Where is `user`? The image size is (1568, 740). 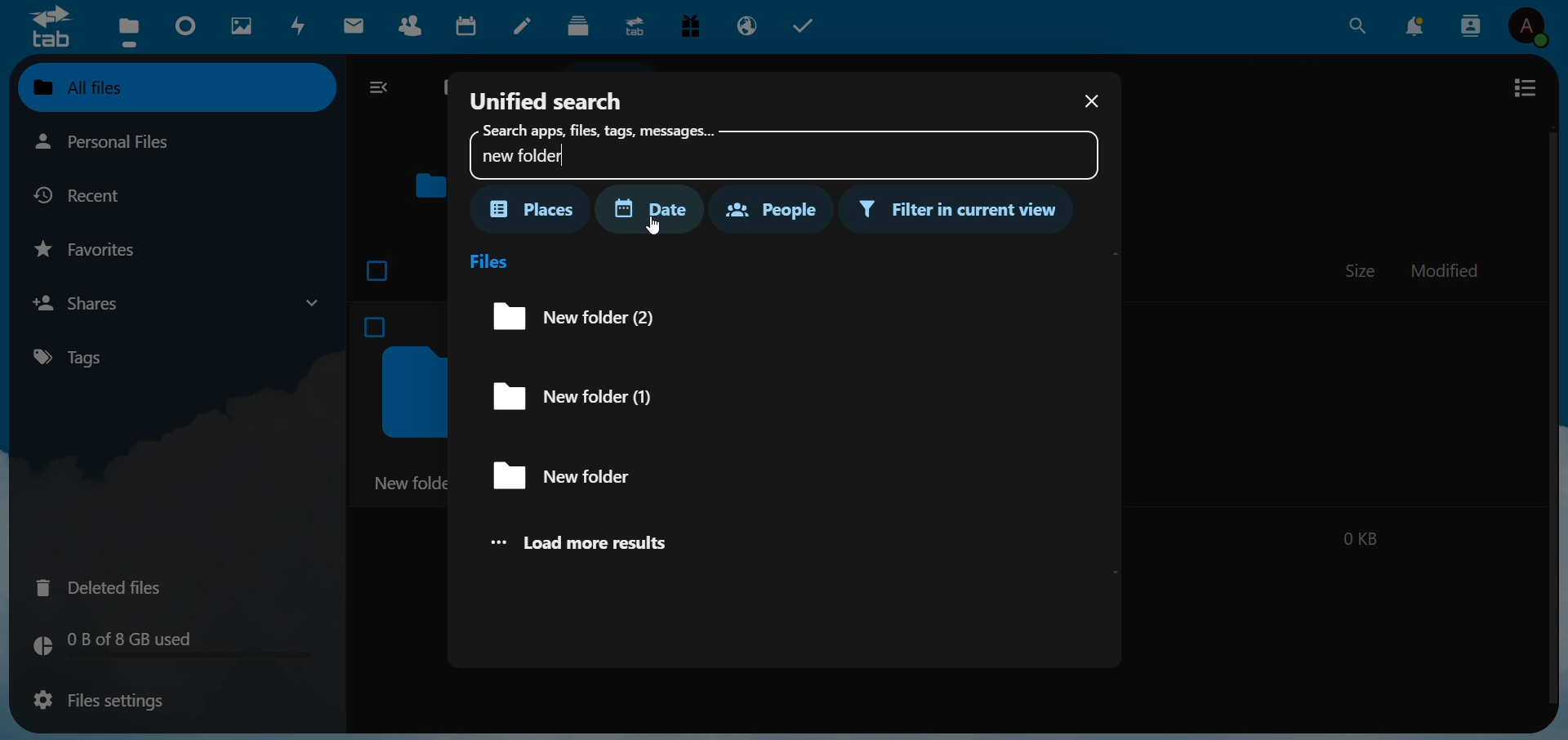 user is located at coordinates (1533, 29).